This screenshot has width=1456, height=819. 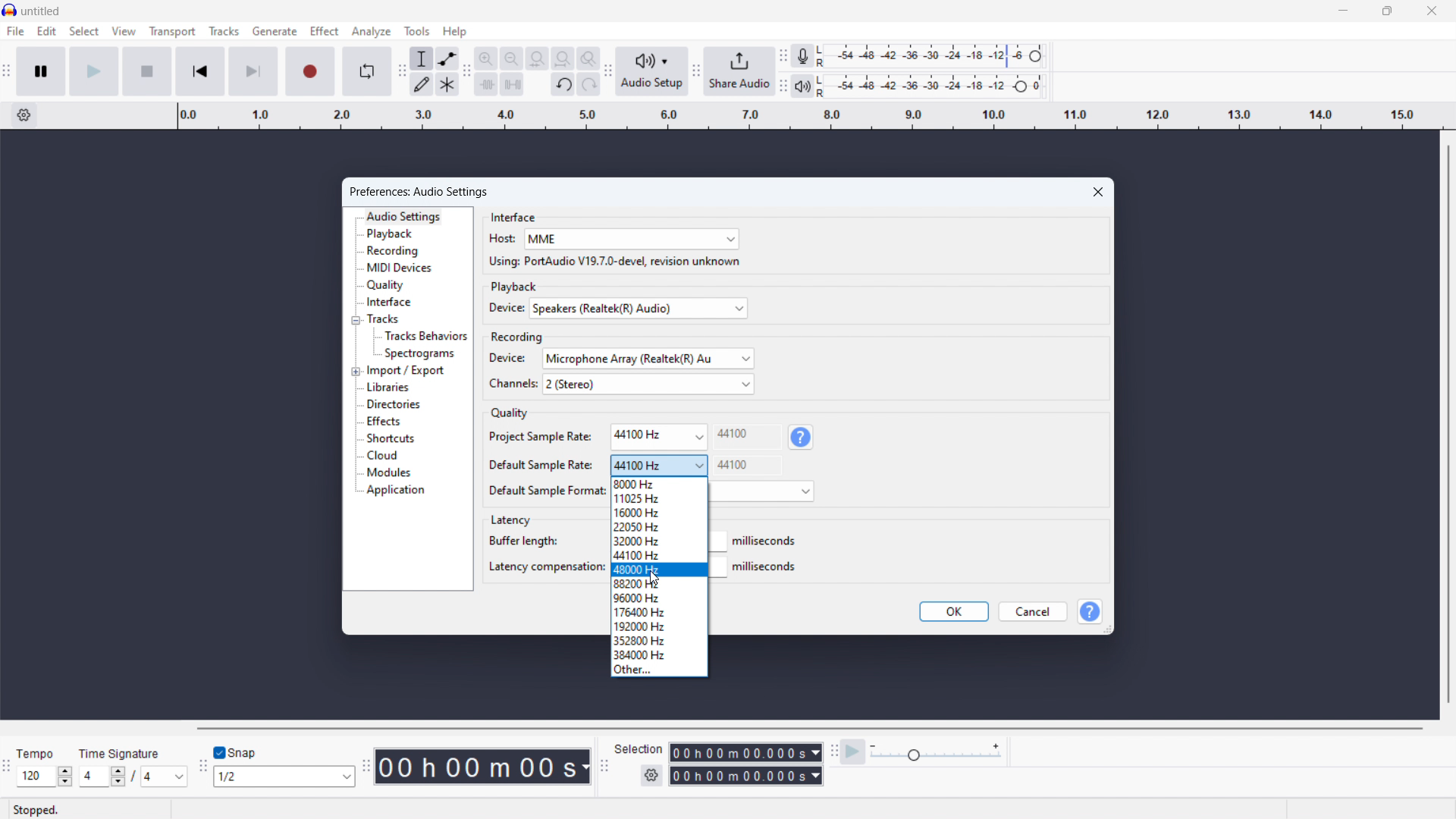 What do you see at coordinates (661, 625) in the screenshot?
I see `192000 Hz` at bounding box center [661, 625].